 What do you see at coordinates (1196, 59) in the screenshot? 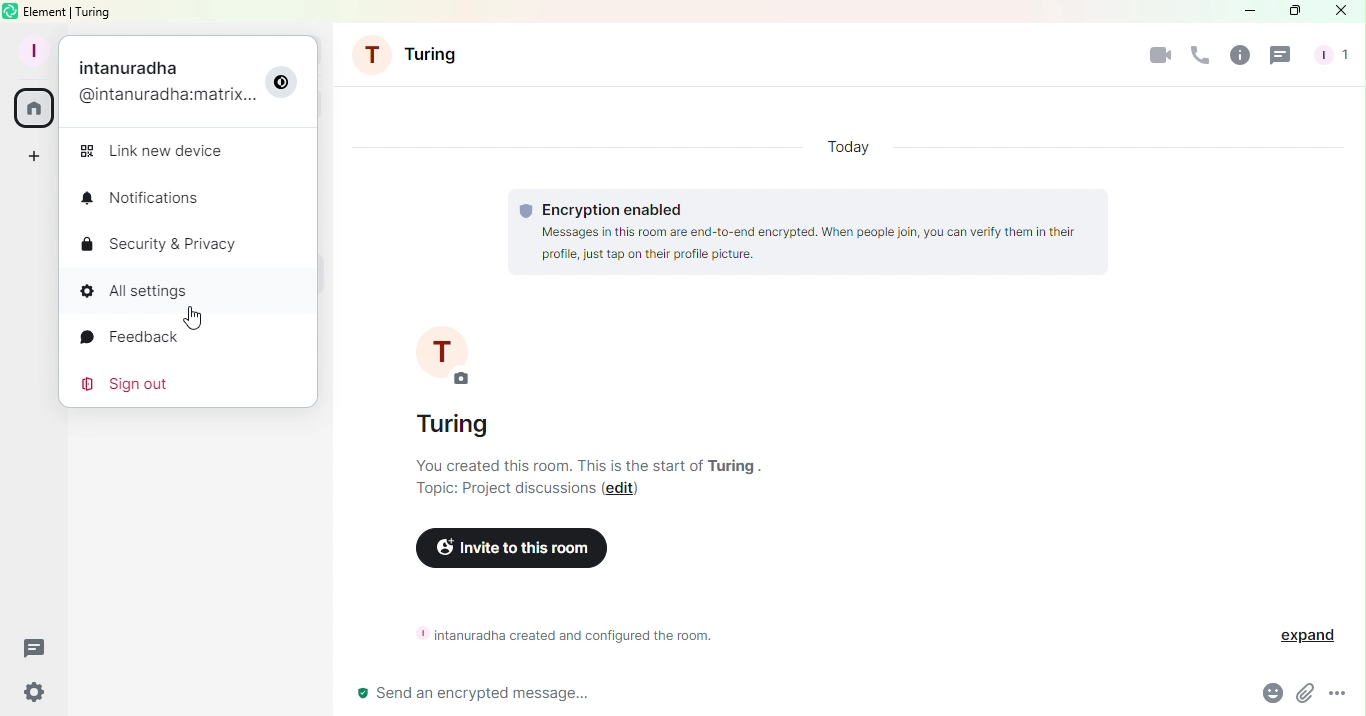
I see `Call` at bounding box center [1196, 59].